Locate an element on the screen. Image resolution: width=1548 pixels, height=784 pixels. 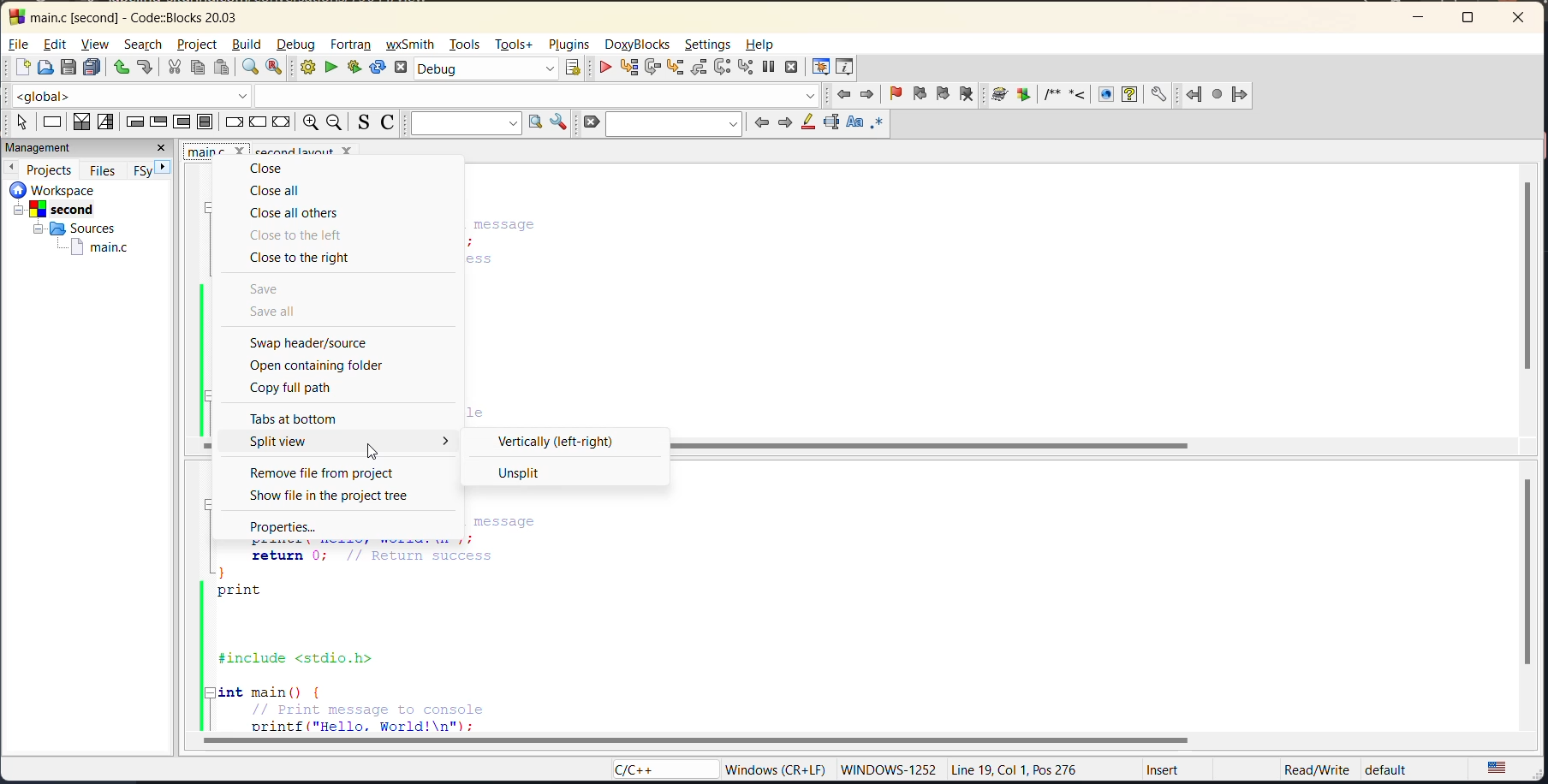
save all is located at coordinates (279, 312).